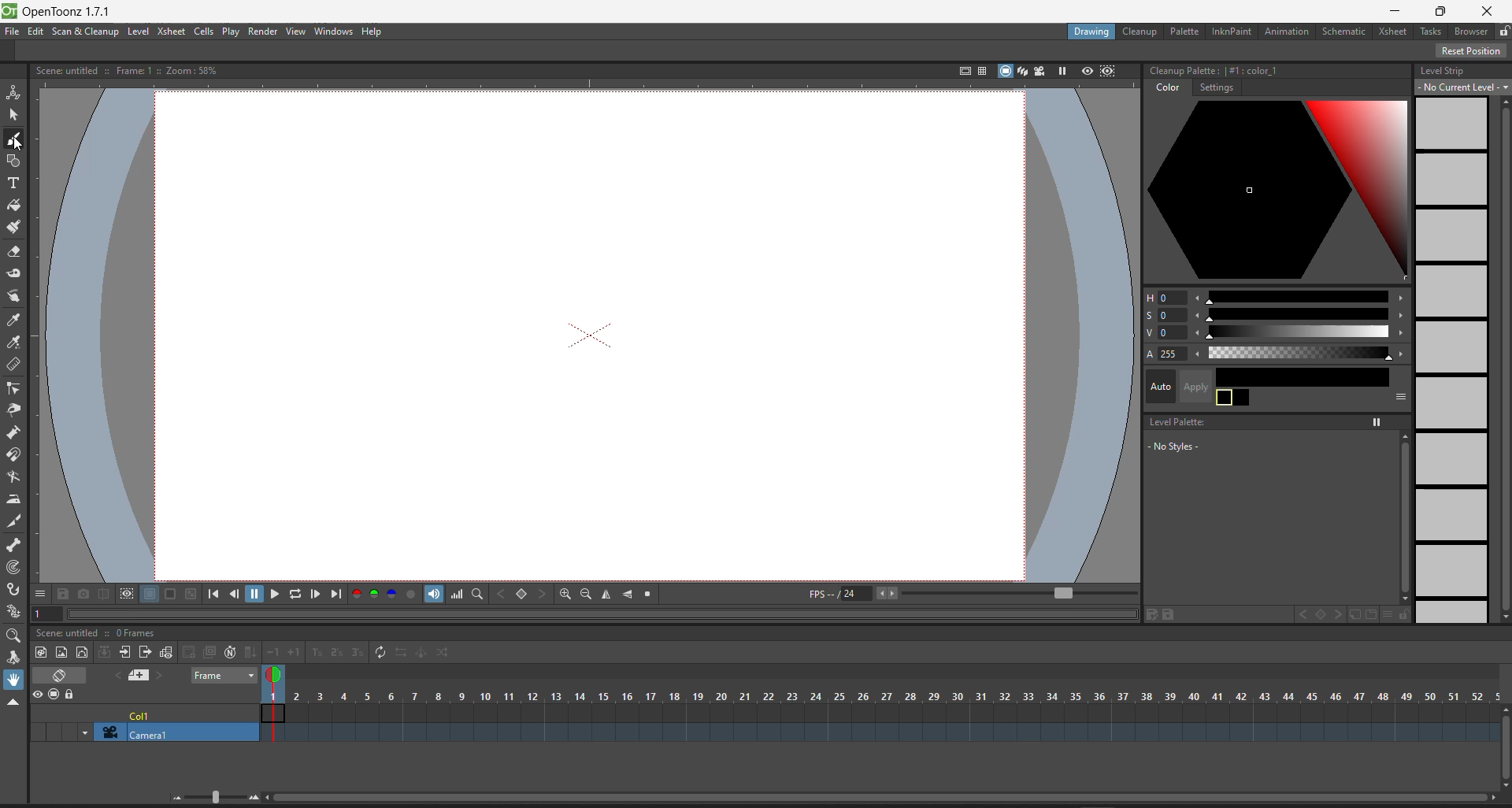 The height and width of the screenshot is (808, 1512). What do you see at coordinates (1408, 614) in the screenshot?
I see `lock palette` at bounding box center [1408, 614].